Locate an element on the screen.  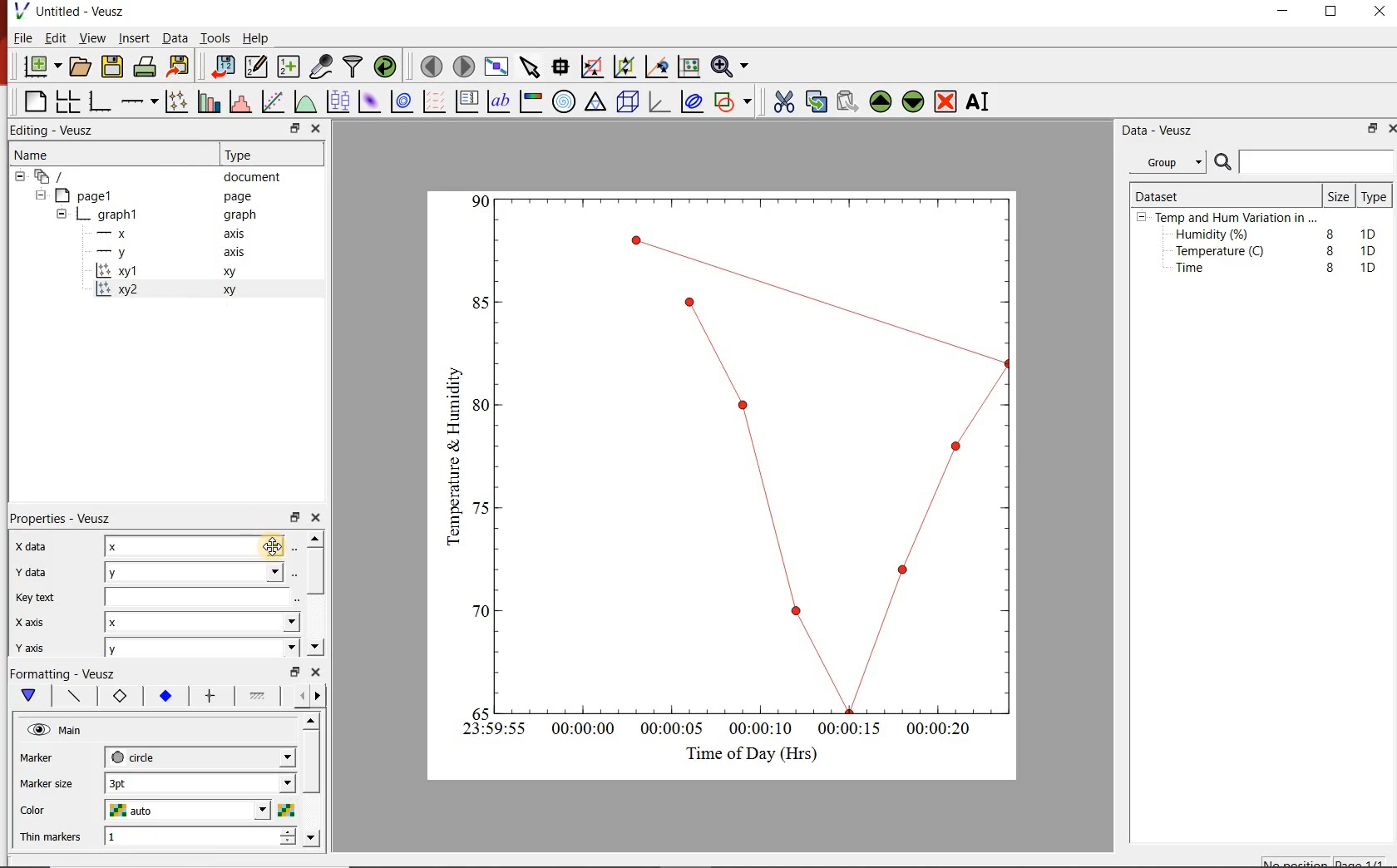
image color bar is located at coordinates (534, 101).